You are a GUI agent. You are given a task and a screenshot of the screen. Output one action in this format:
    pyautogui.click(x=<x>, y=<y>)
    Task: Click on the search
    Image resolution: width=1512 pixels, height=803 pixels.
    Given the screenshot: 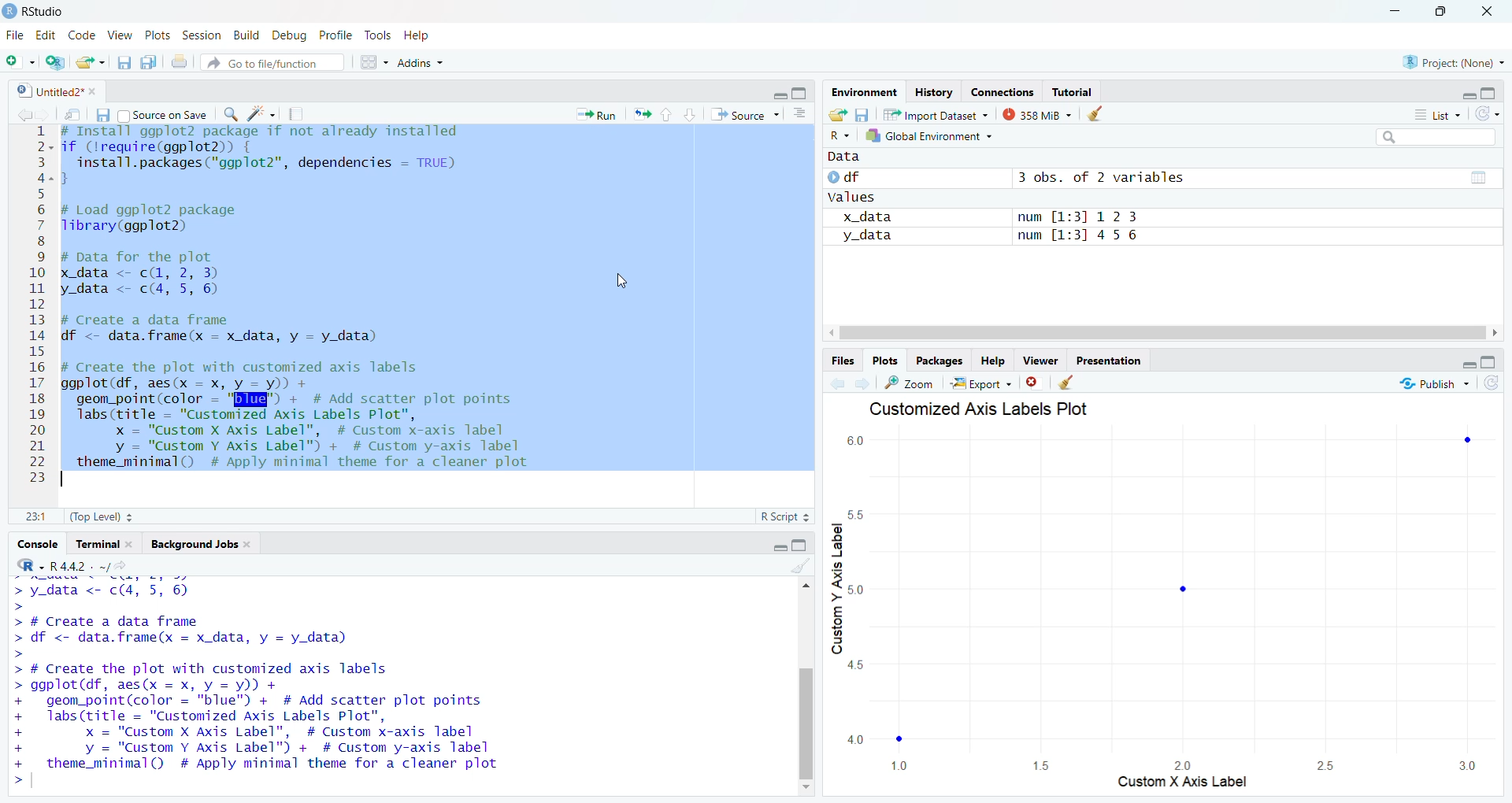 What is the action you would take?
    pyautogui.click(x=234, y=117)
    